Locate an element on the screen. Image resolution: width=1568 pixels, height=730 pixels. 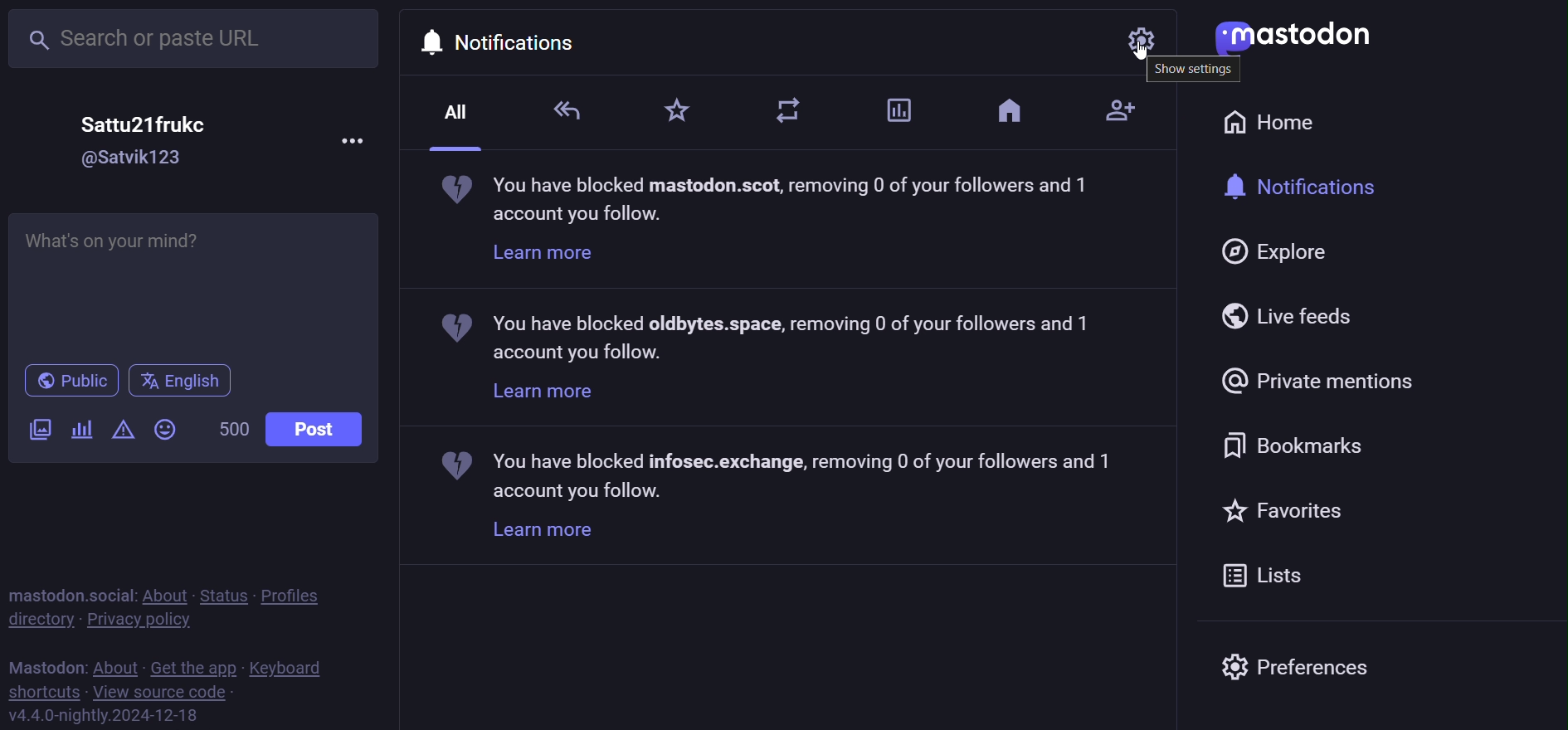
private mentions is located at coordinates (1319, 380).